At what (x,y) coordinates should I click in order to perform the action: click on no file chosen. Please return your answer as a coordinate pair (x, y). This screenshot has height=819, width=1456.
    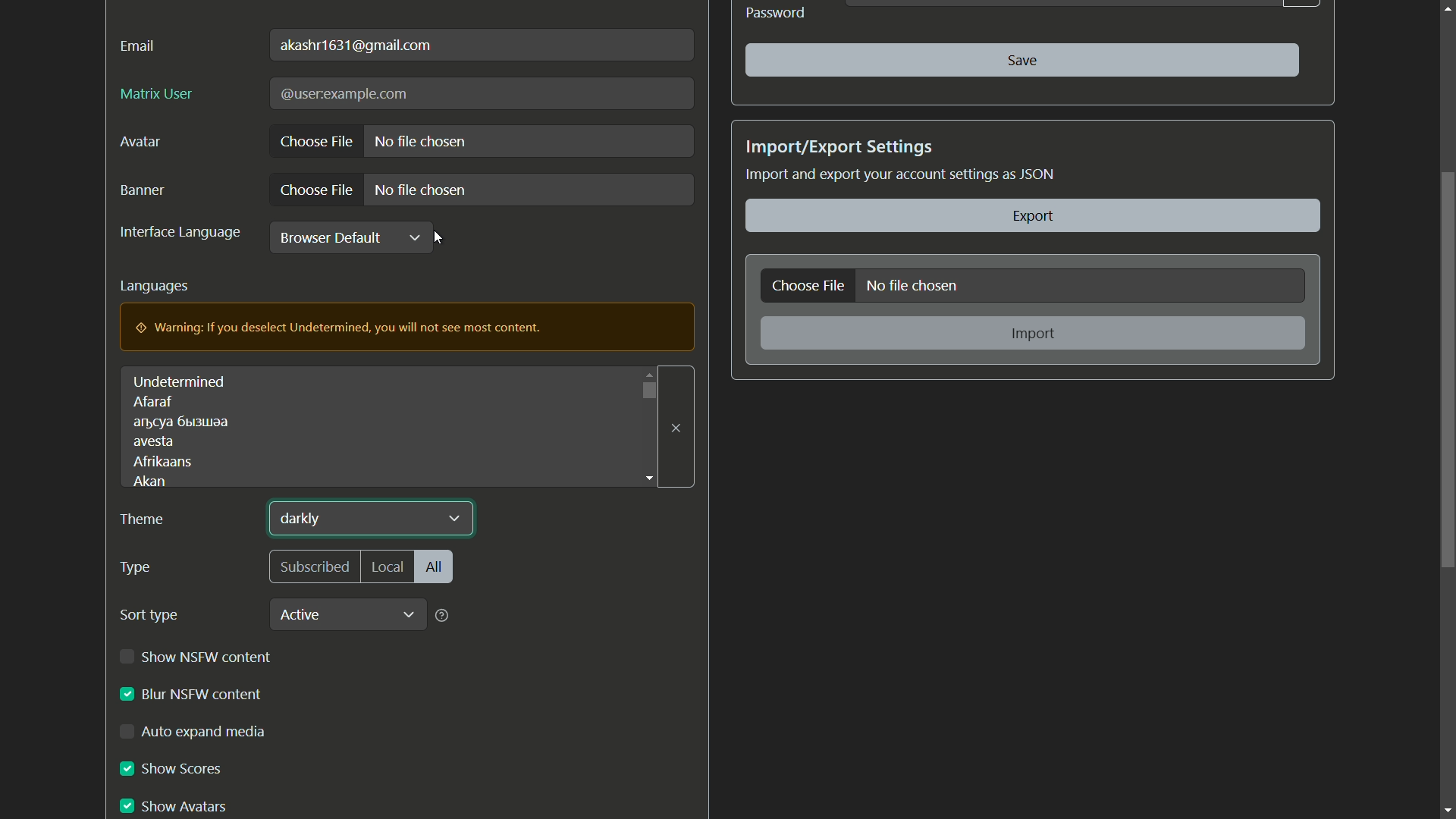
    Looking at the image, I should click on (419, 188).